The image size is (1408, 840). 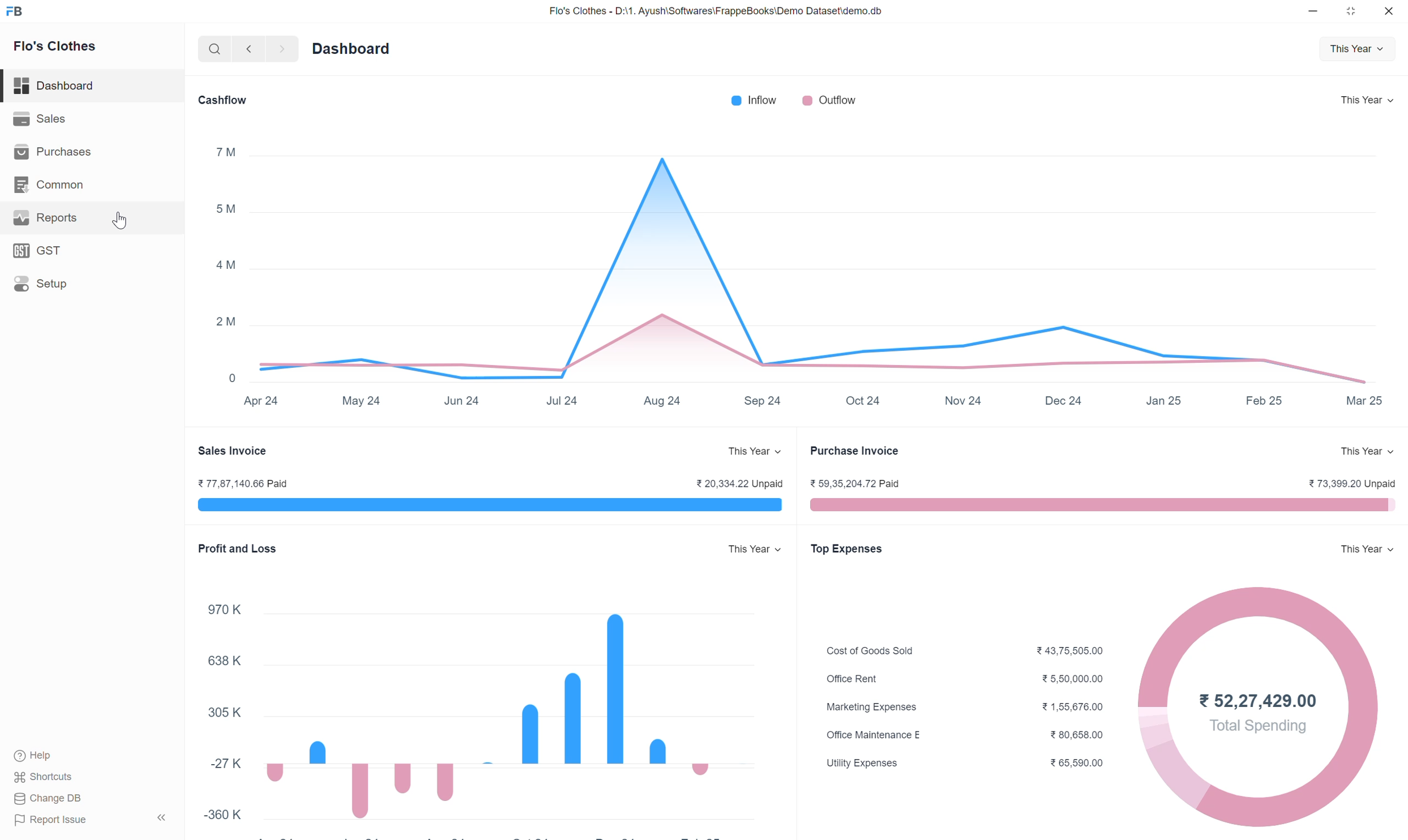 I want to click on Office Rent ¥5,50,000.00, so click(x=973, y=674).